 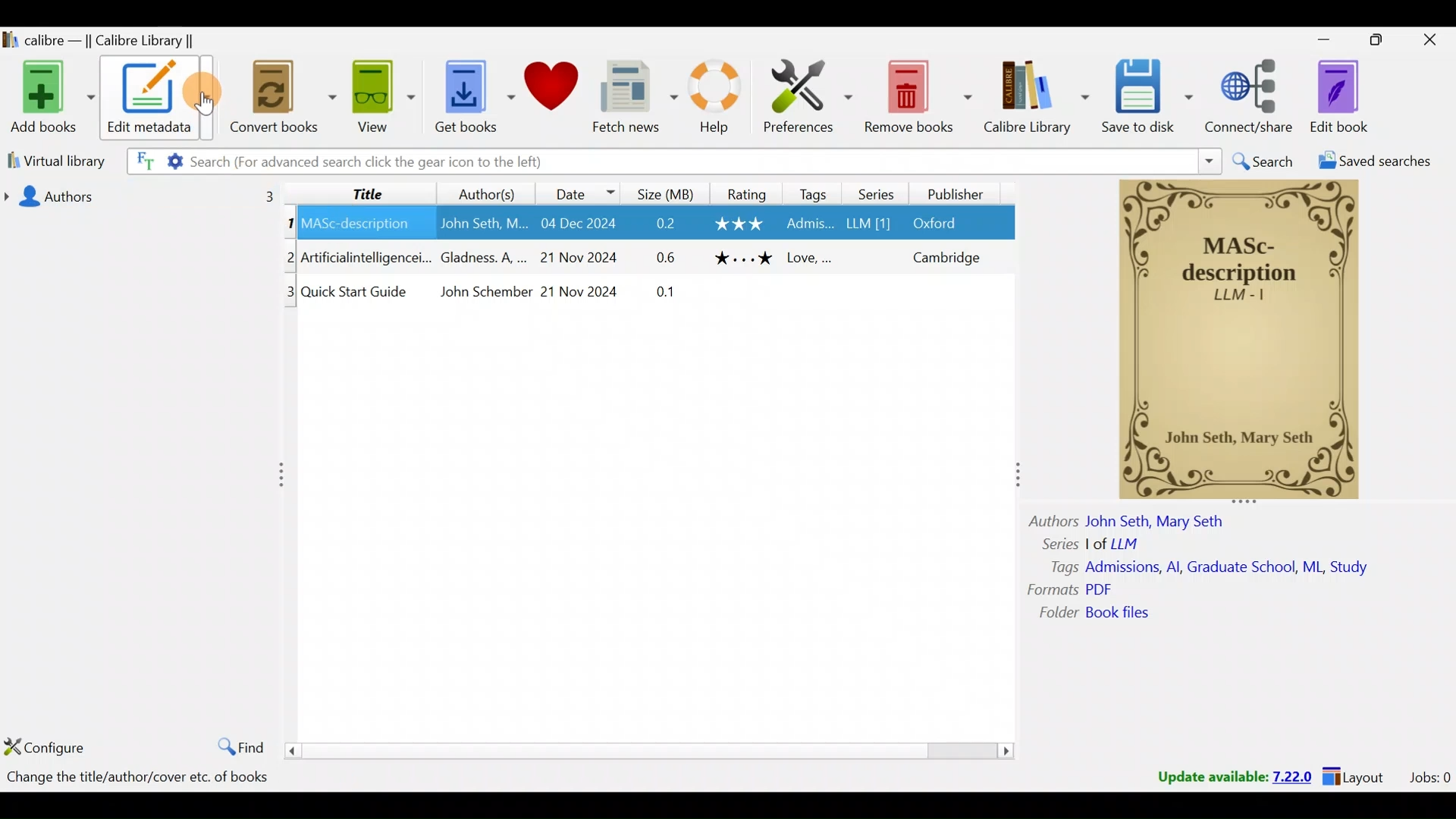 I want to click on Add books, so click(x=56, y=98).